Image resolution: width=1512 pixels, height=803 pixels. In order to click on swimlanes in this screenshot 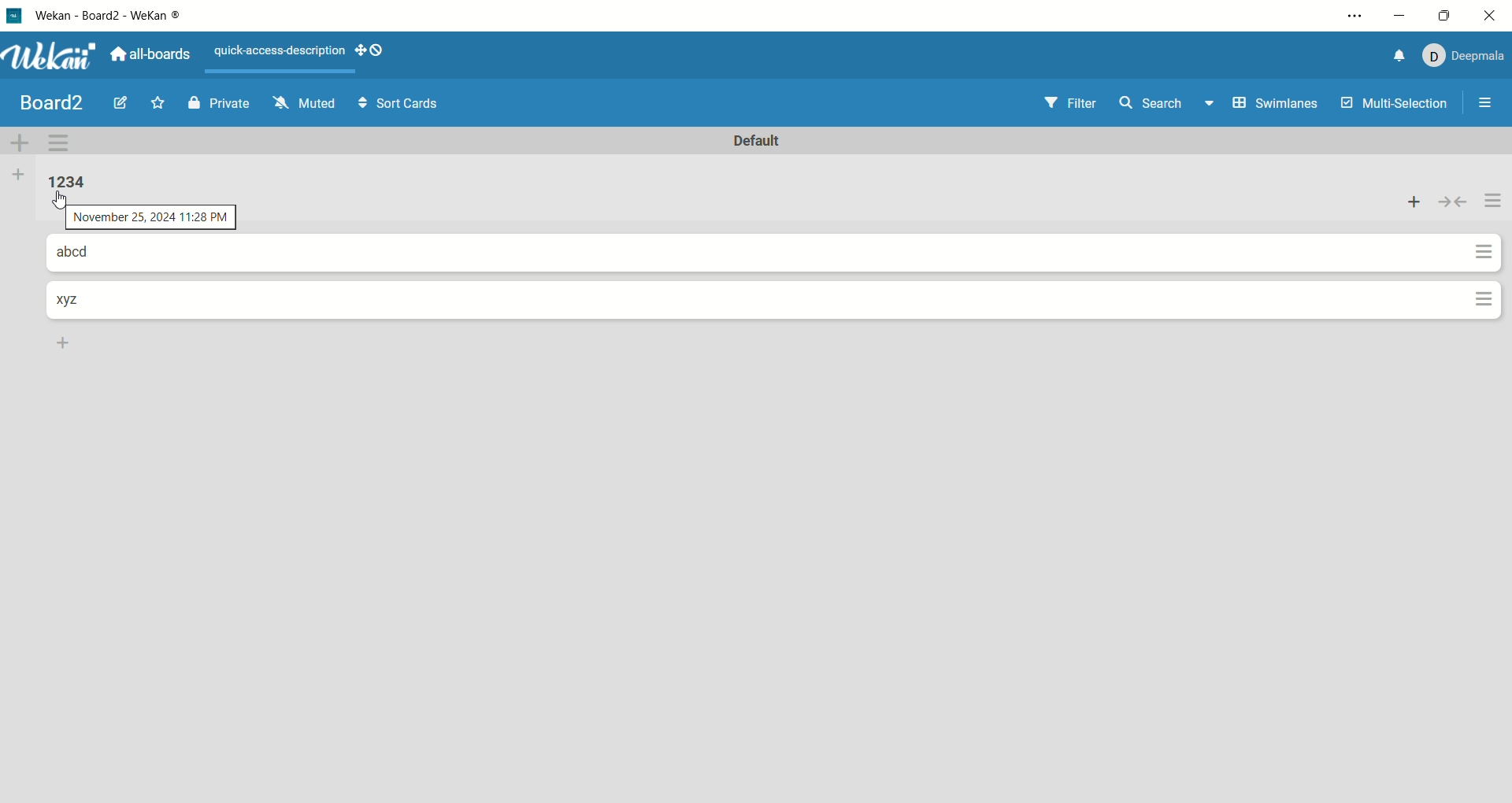, I will do `click(1274, 105)`.